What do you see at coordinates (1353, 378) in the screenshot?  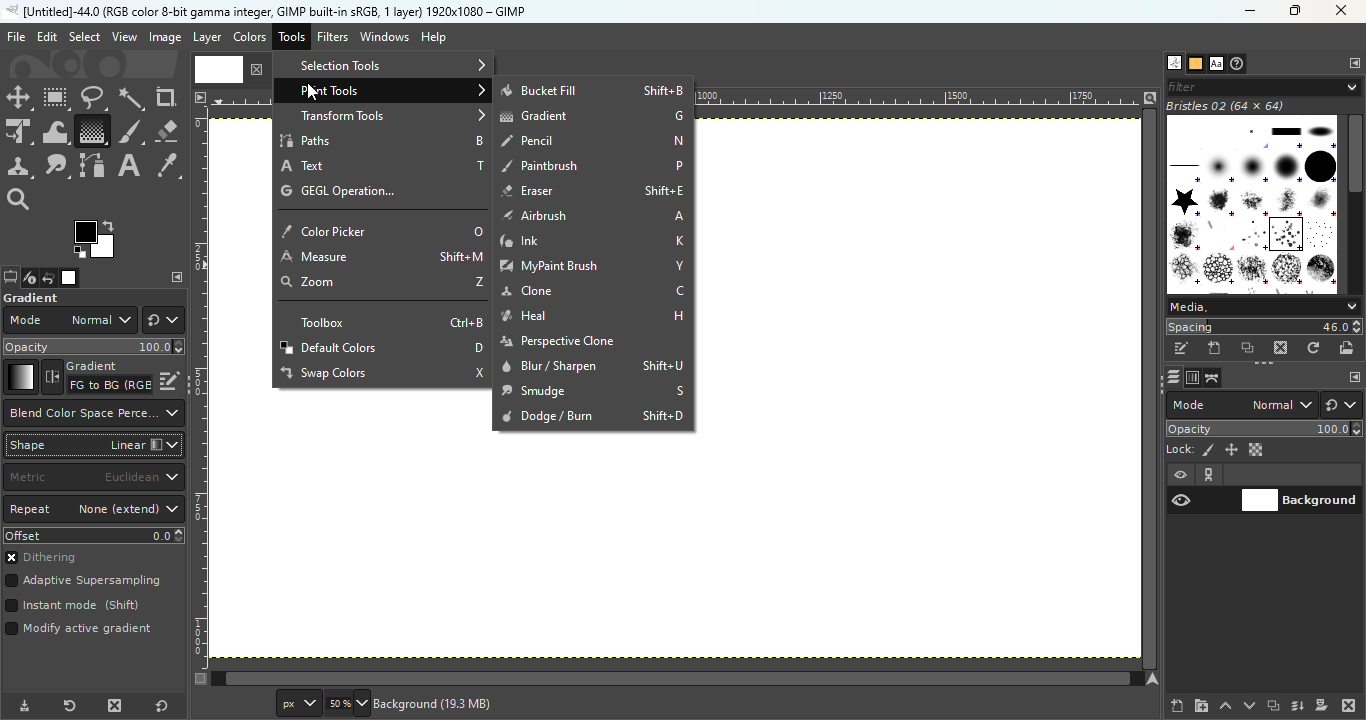 I see `Configure this tab` at bounding box center [1353, 378].